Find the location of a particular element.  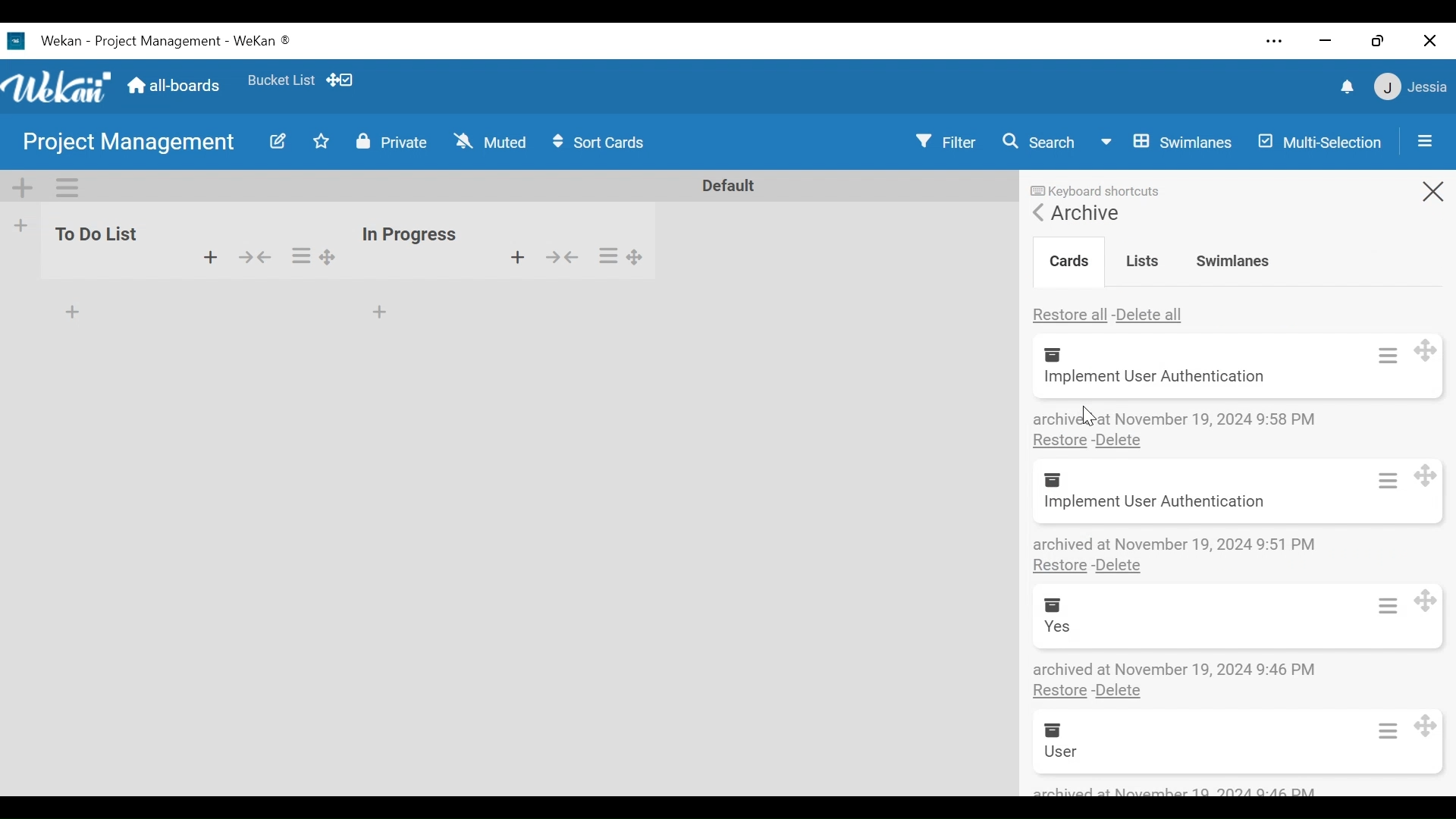

cursor is located at coordinates (1097, 416).